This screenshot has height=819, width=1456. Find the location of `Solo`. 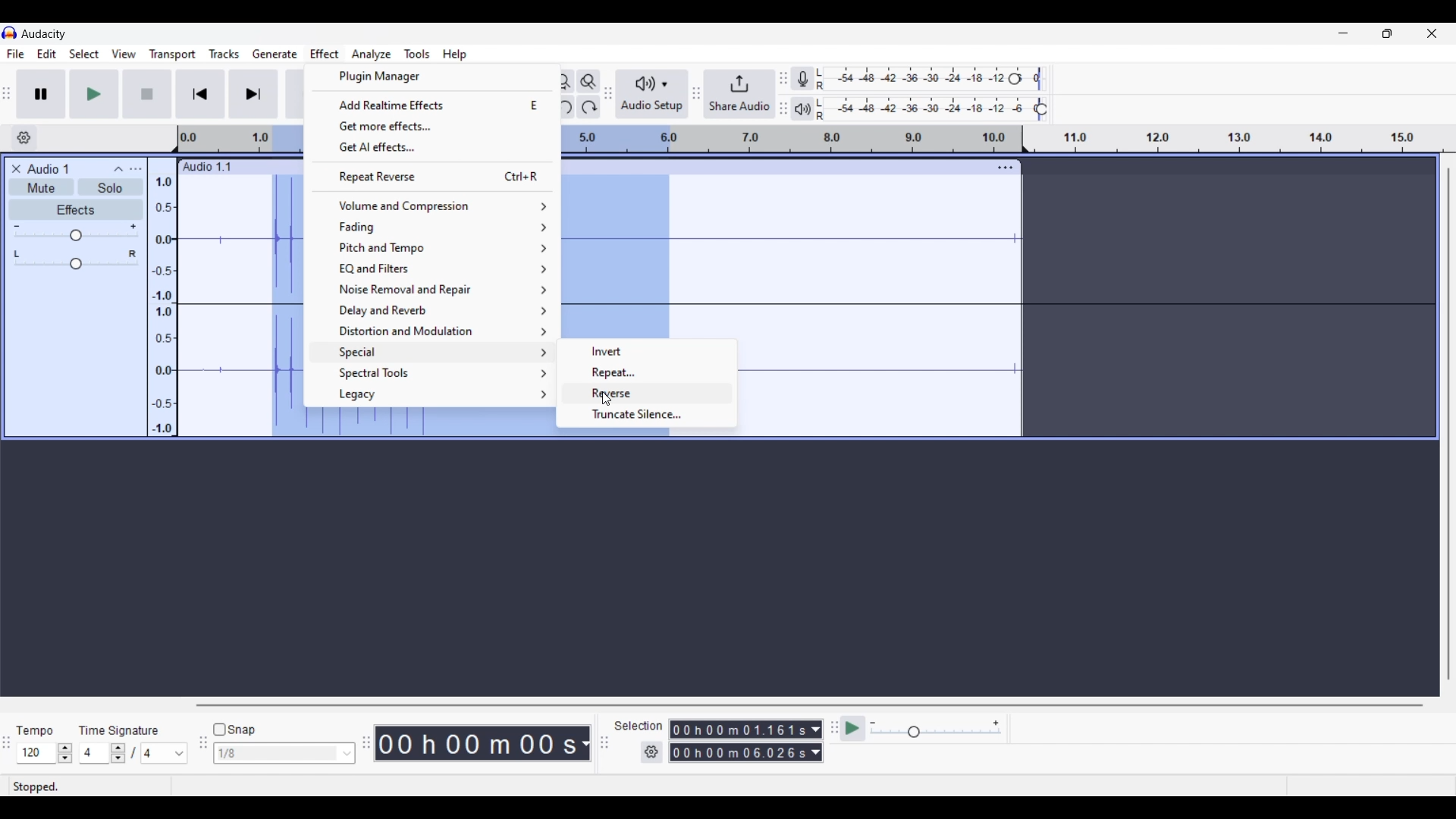

Solo is located at coordinates (110, 187).